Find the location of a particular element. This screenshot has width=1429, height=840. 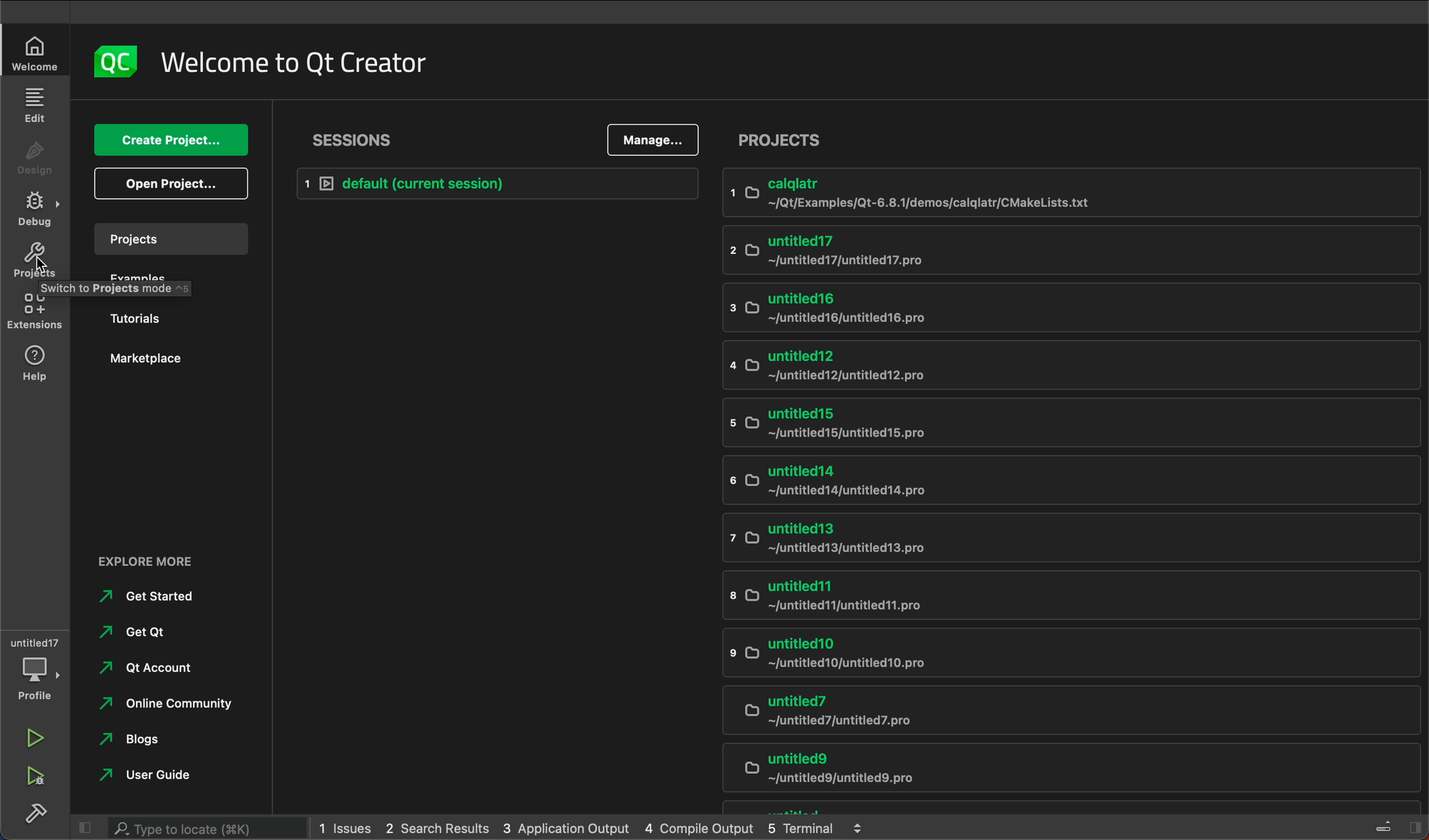

help is located at coordinates (35, 362).